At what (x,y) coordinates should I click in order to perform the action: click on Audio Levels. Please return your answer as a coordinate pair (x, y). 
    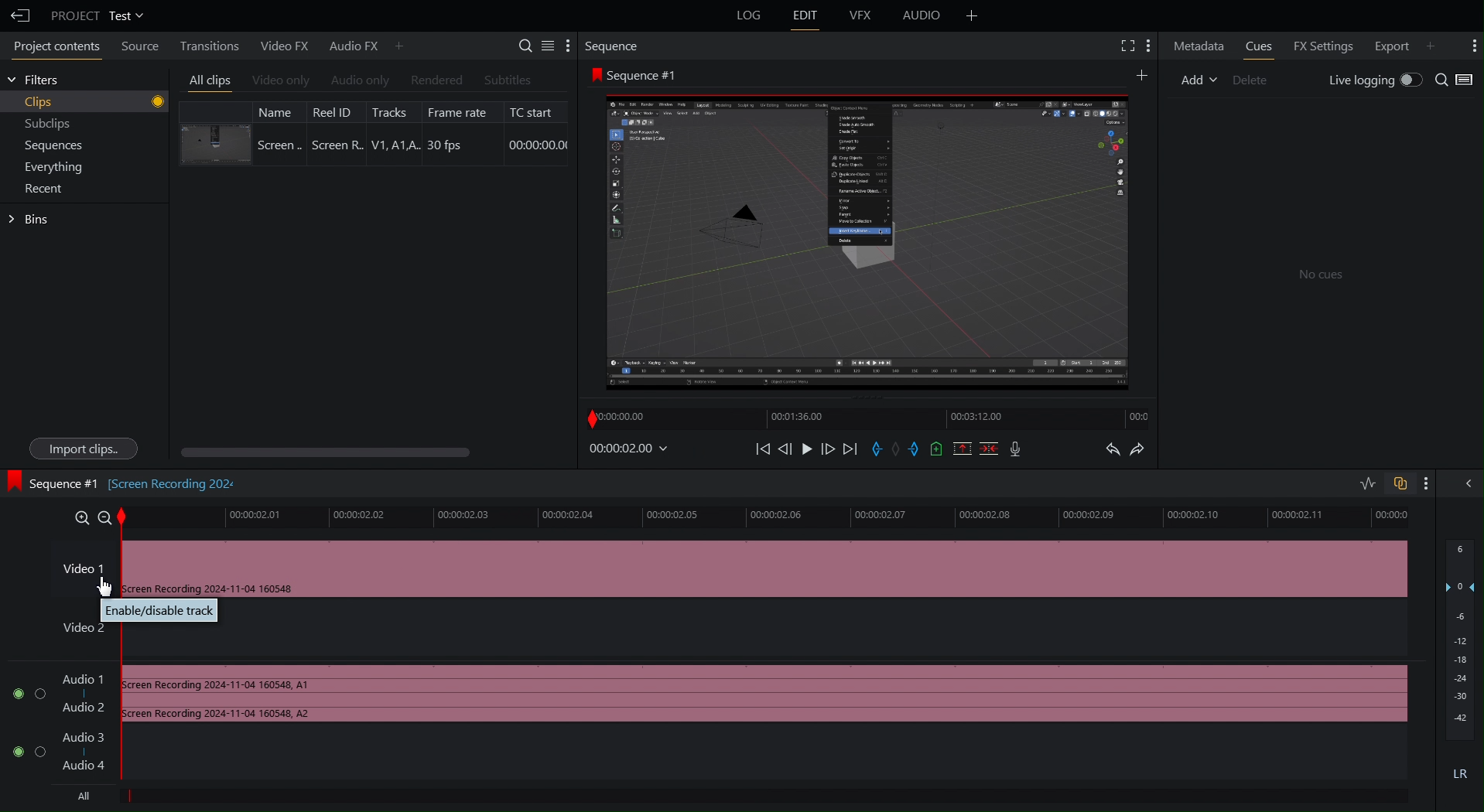
    Looking at the image, I should click on (1460, 666).